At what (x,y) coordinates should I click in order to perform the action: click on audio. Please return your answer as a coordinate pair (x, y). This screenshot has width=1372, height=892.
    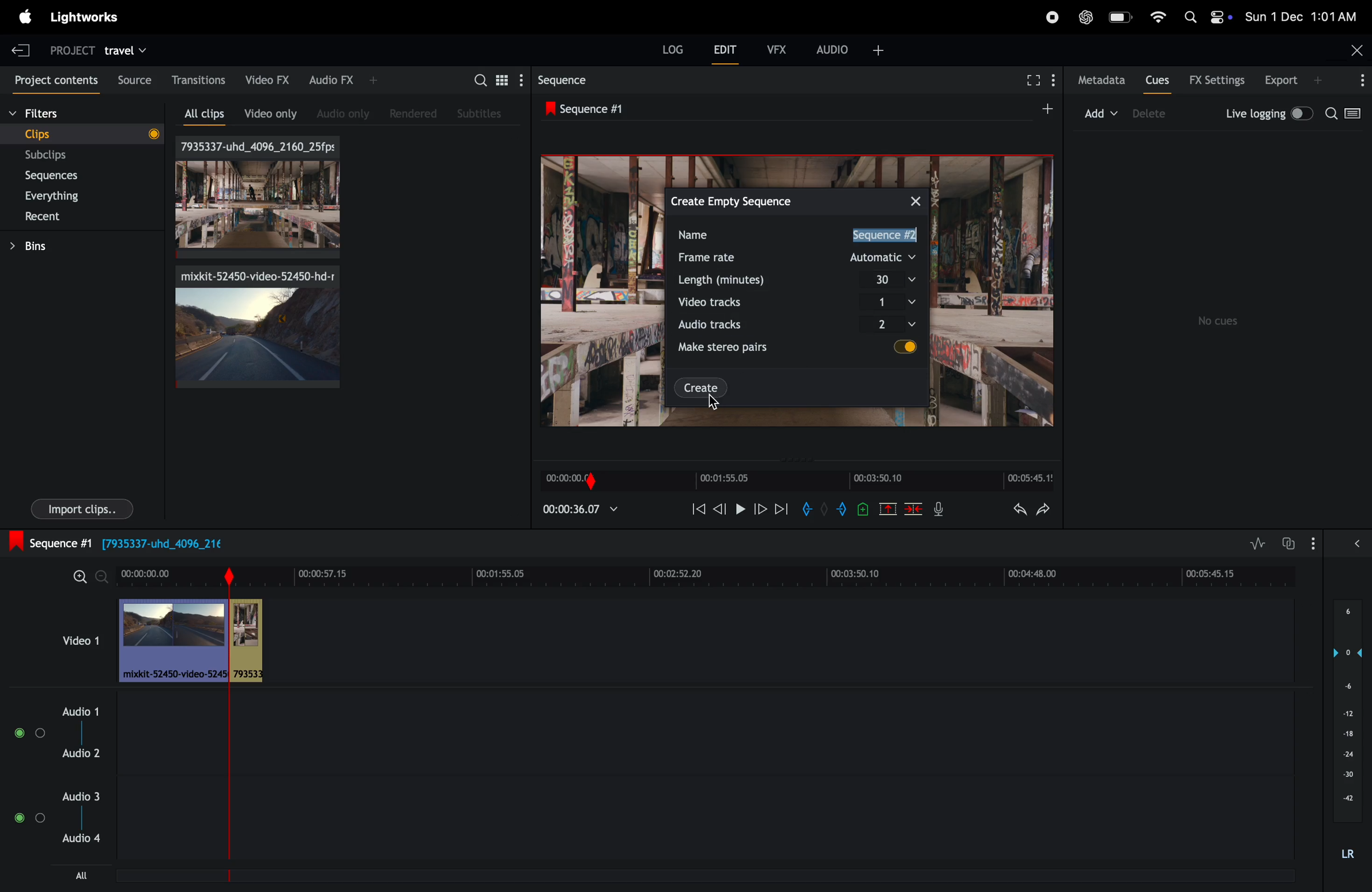
    Looking at the image, I should click on (852, 49).